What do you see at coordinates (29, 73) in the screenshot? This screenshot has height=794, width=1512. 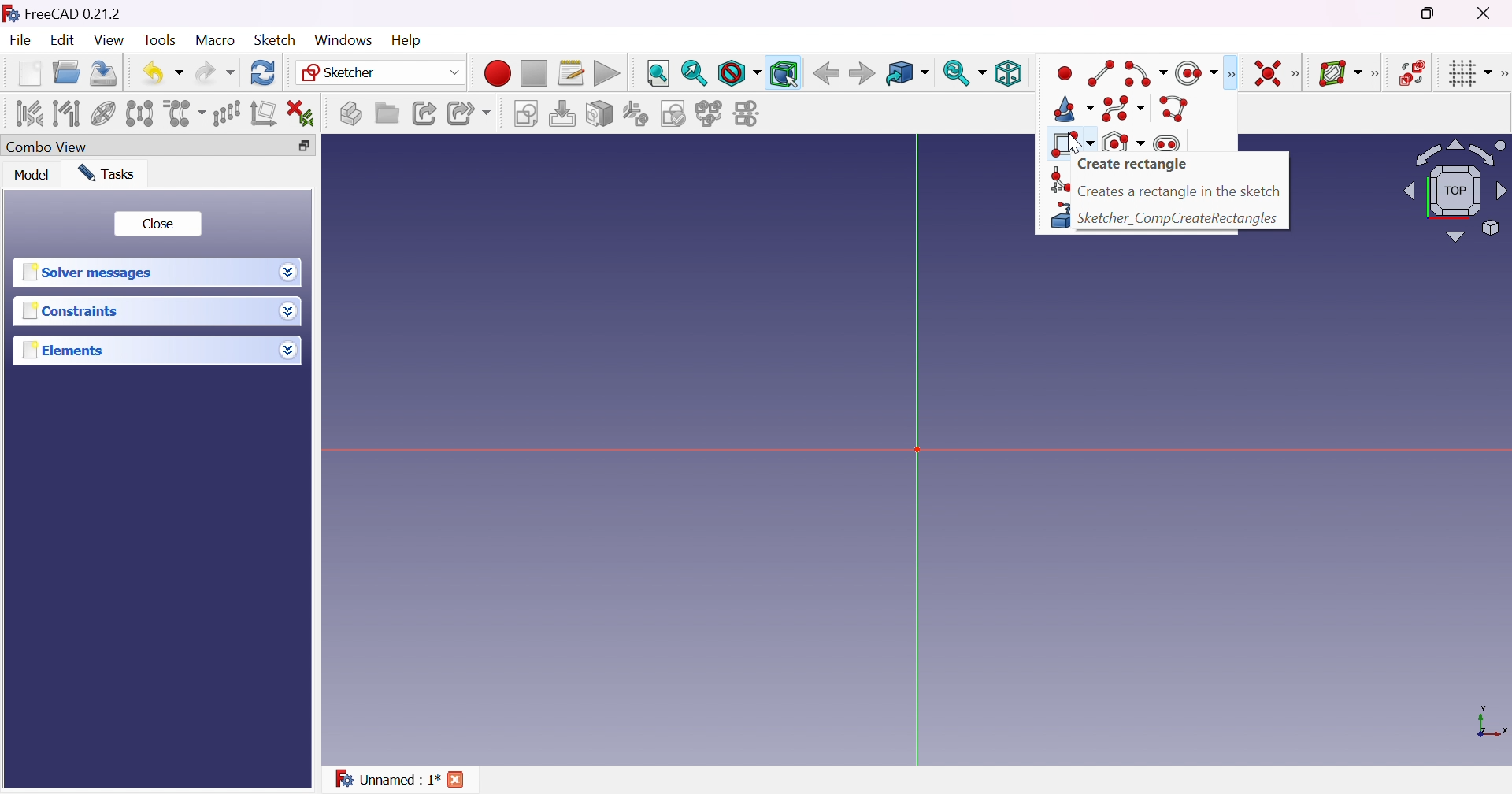 I see `New` at bounding box center [29, 73].